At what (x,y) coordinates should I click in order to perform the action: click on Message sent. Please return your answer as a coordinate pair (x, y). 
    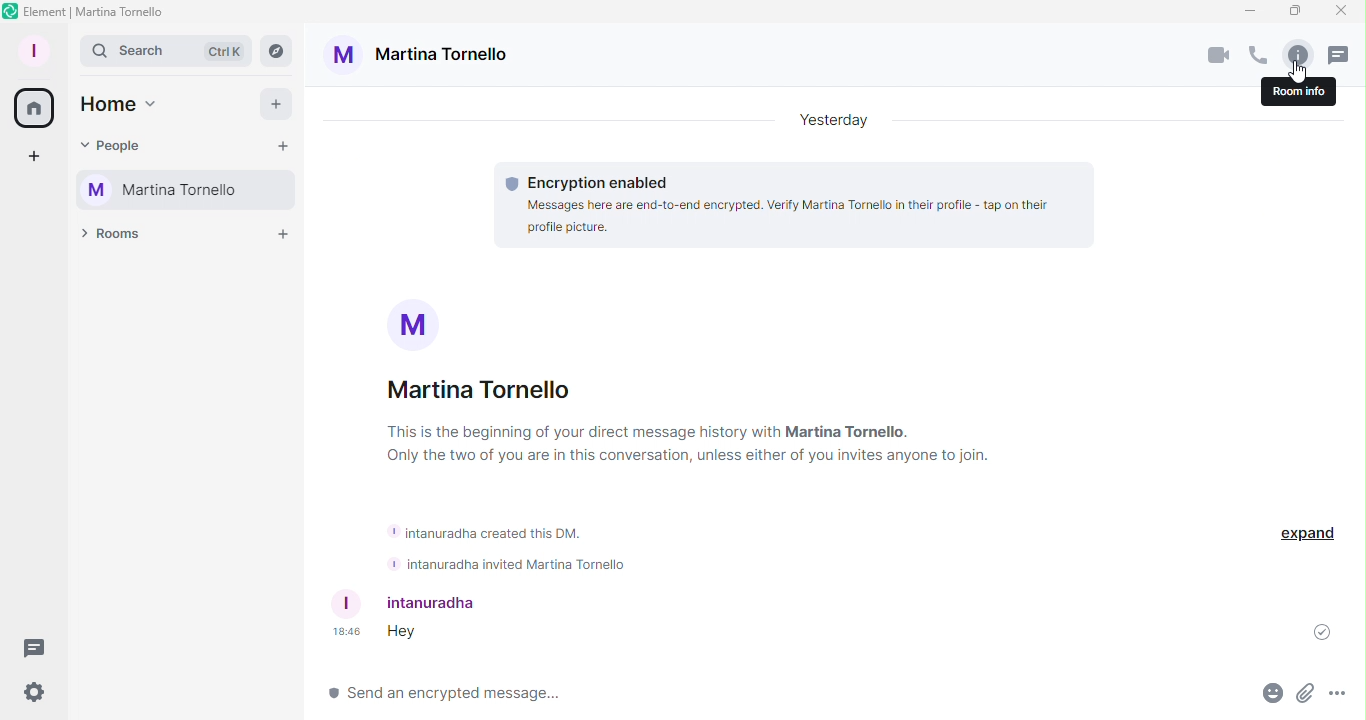
    Looking at the image, I should click on (1313, 635).